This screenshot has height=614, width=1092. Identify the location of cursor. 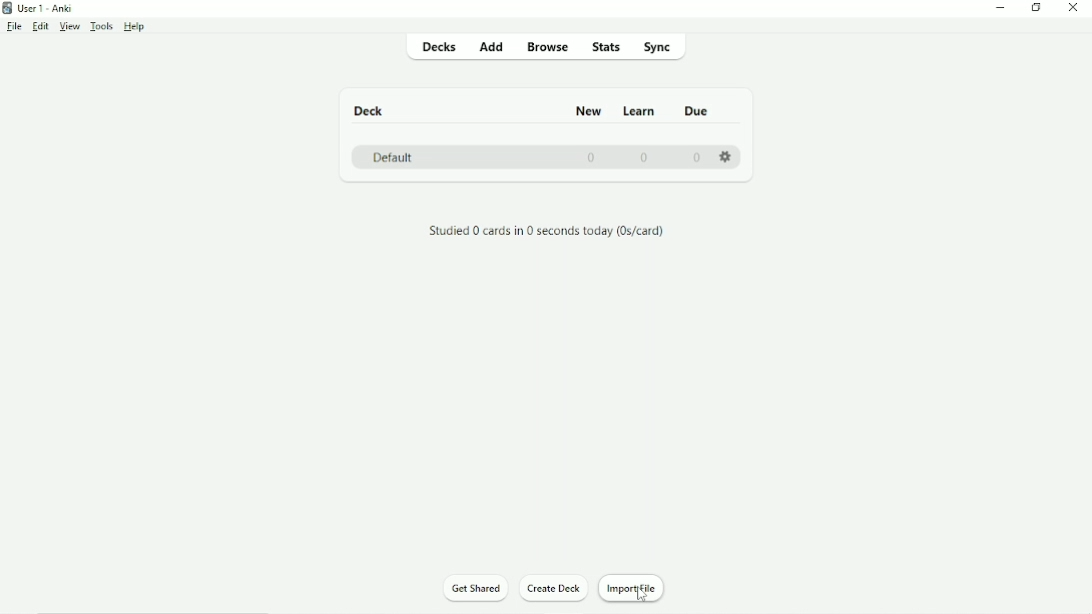
(643, 598).